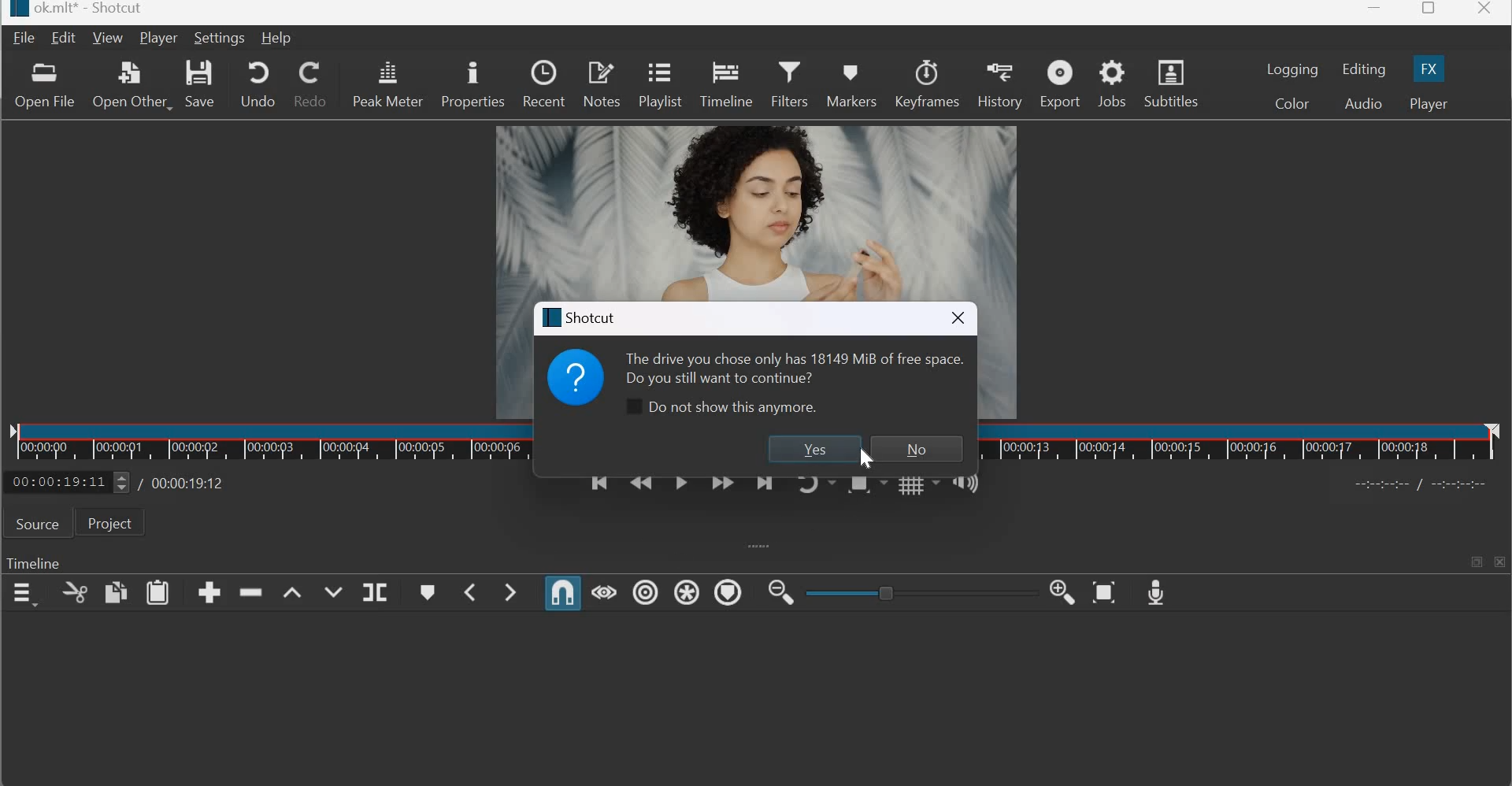  I want to click on close, so click(1501, 562).